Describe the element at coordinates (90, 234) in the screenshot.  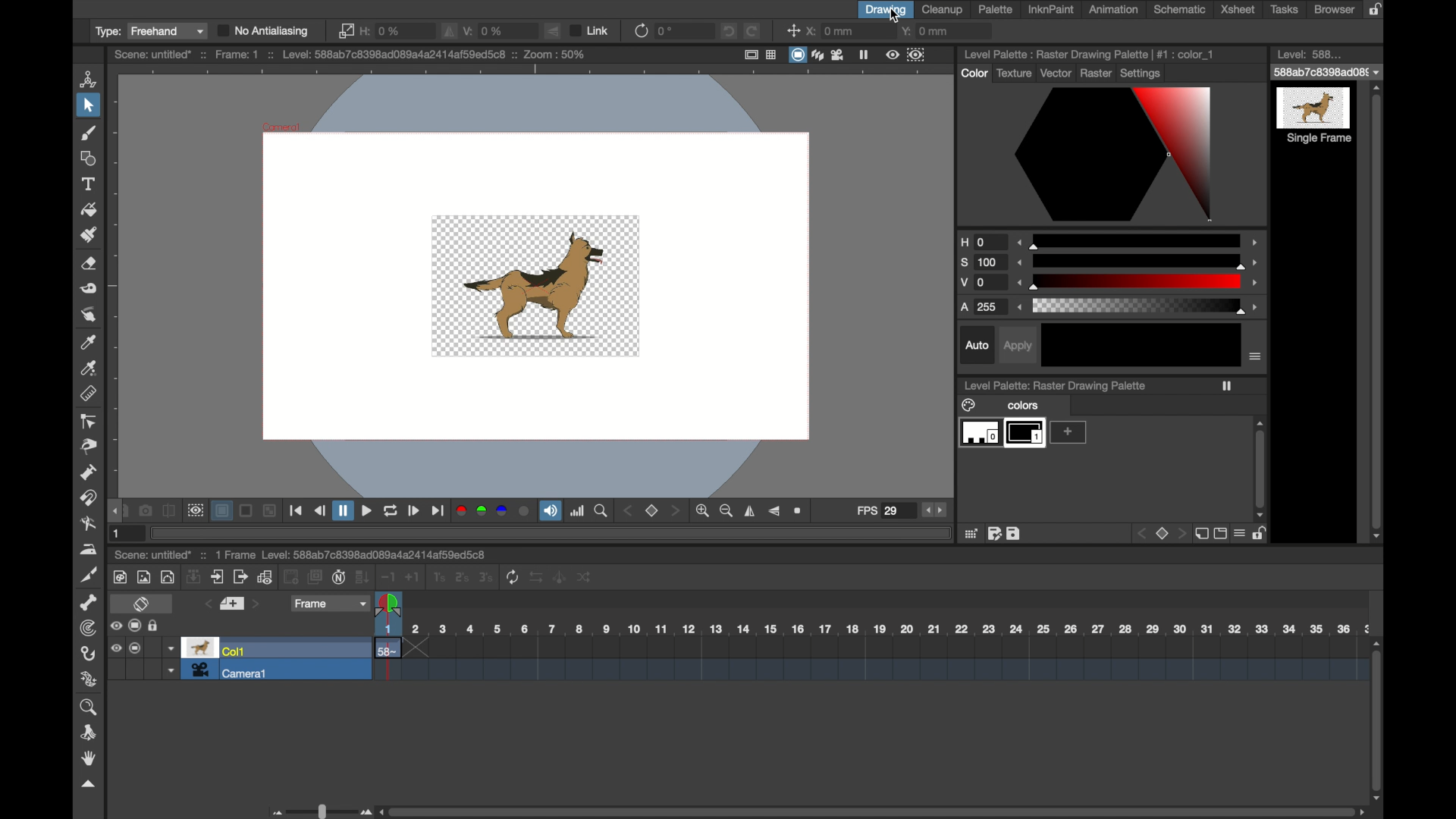
I see `paint brush tool` at that location.